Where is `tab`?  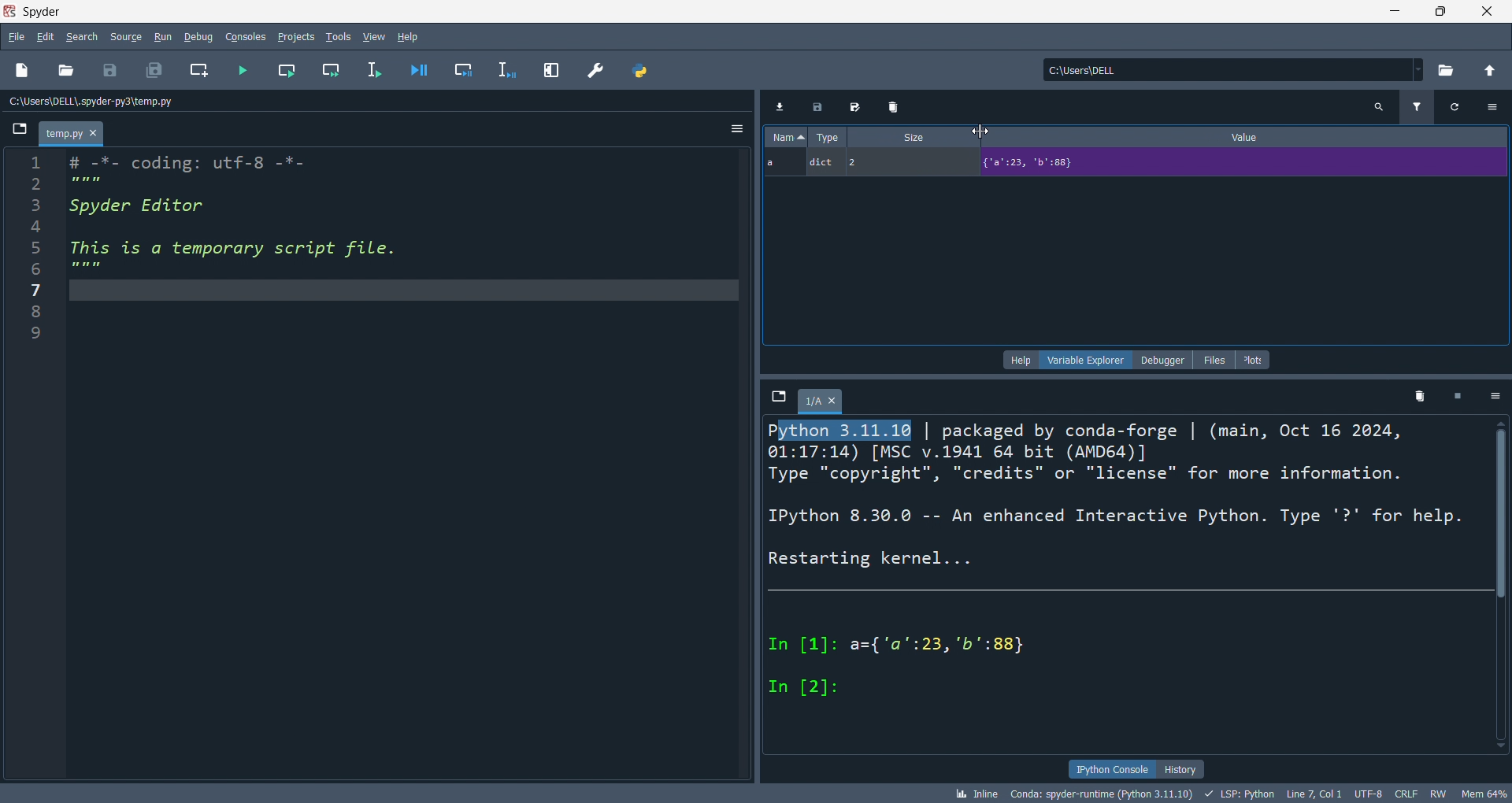 tab is located at coordinates (821, 400).